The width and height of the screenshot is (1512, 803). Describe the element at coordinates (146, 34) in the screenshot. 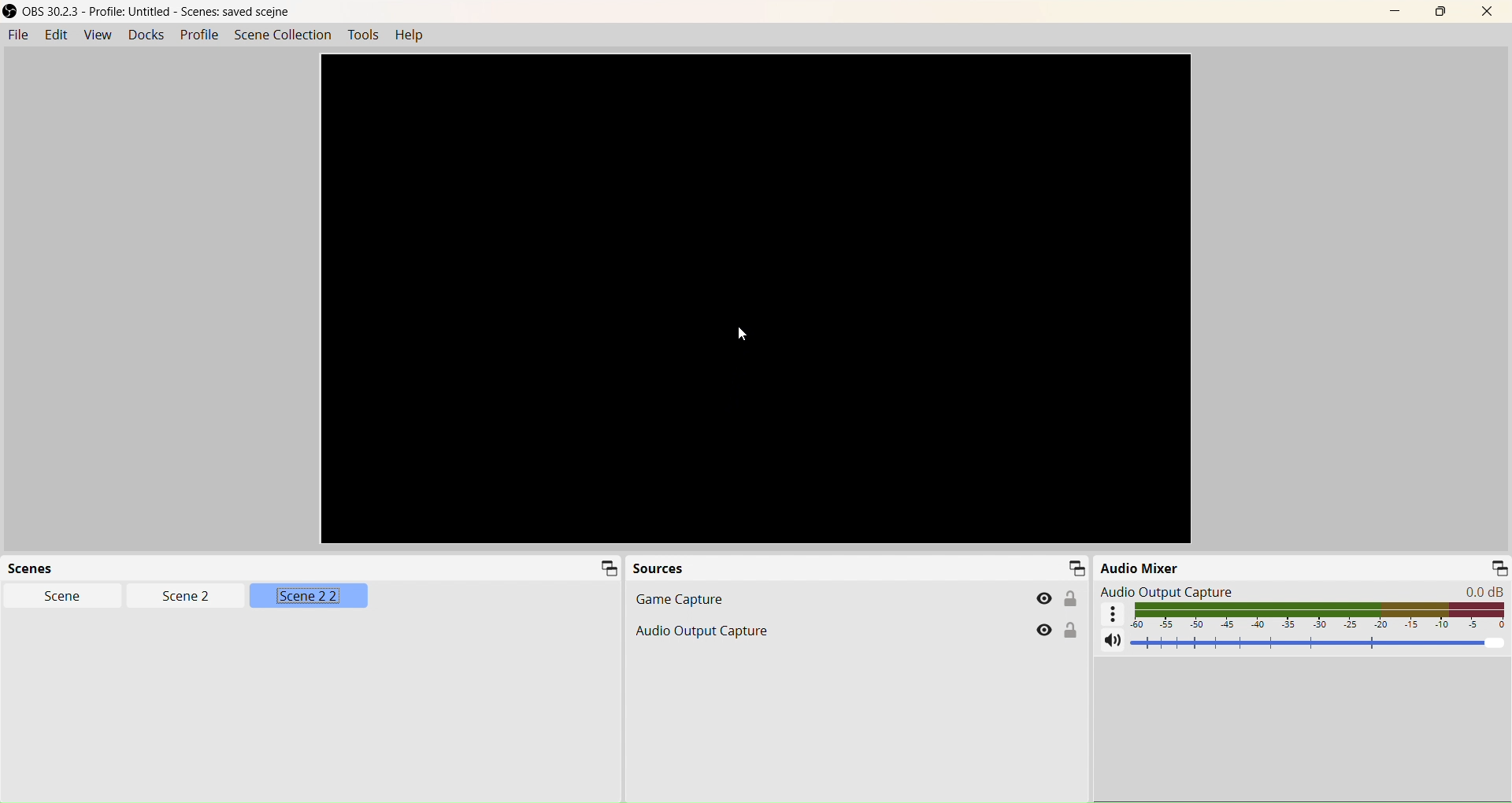

I see `Docks` at that location.